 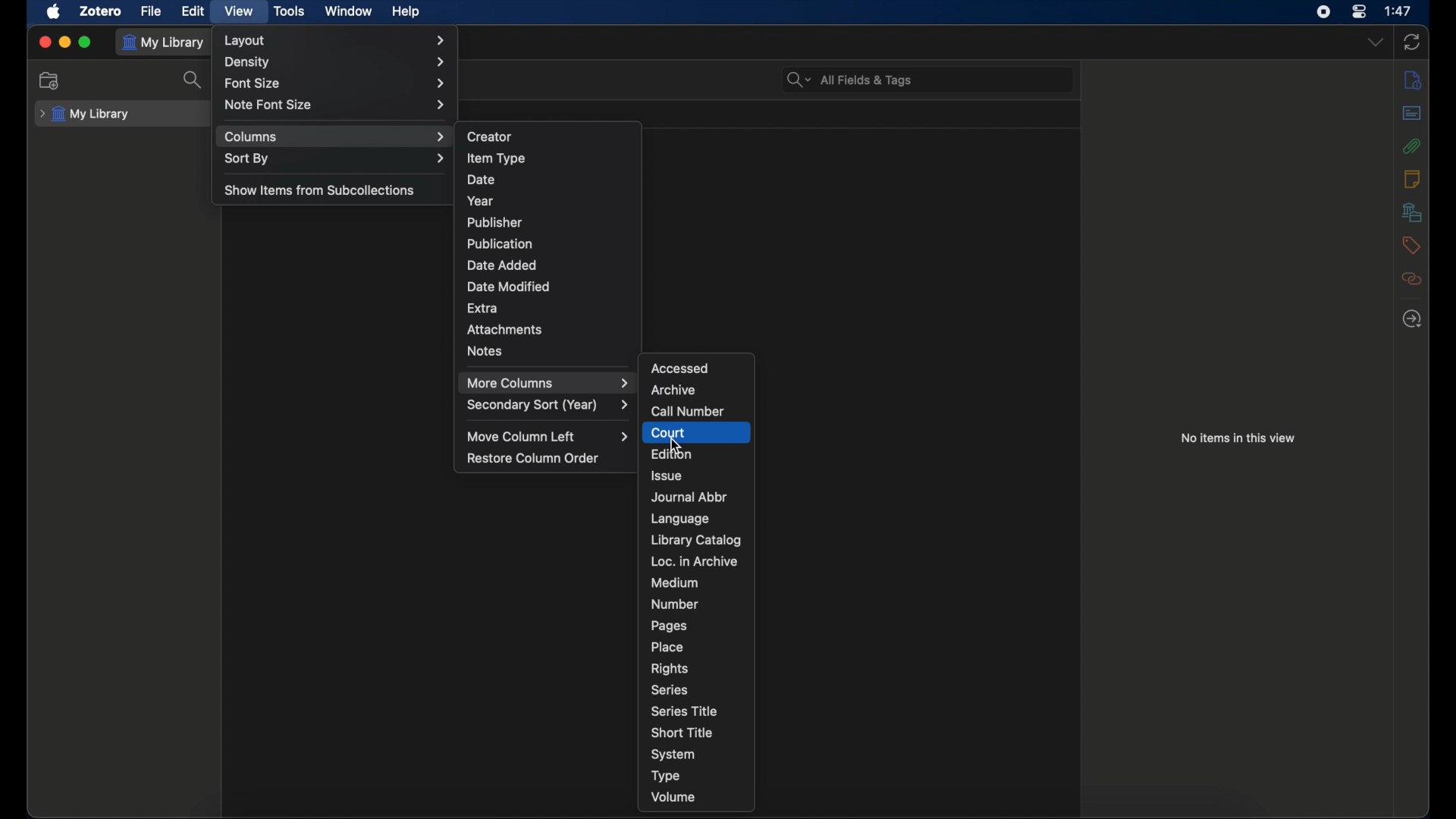 What do you see at coordinates (481, 179) in the screenshot?
I see `date` at bounding box center [481, 179].